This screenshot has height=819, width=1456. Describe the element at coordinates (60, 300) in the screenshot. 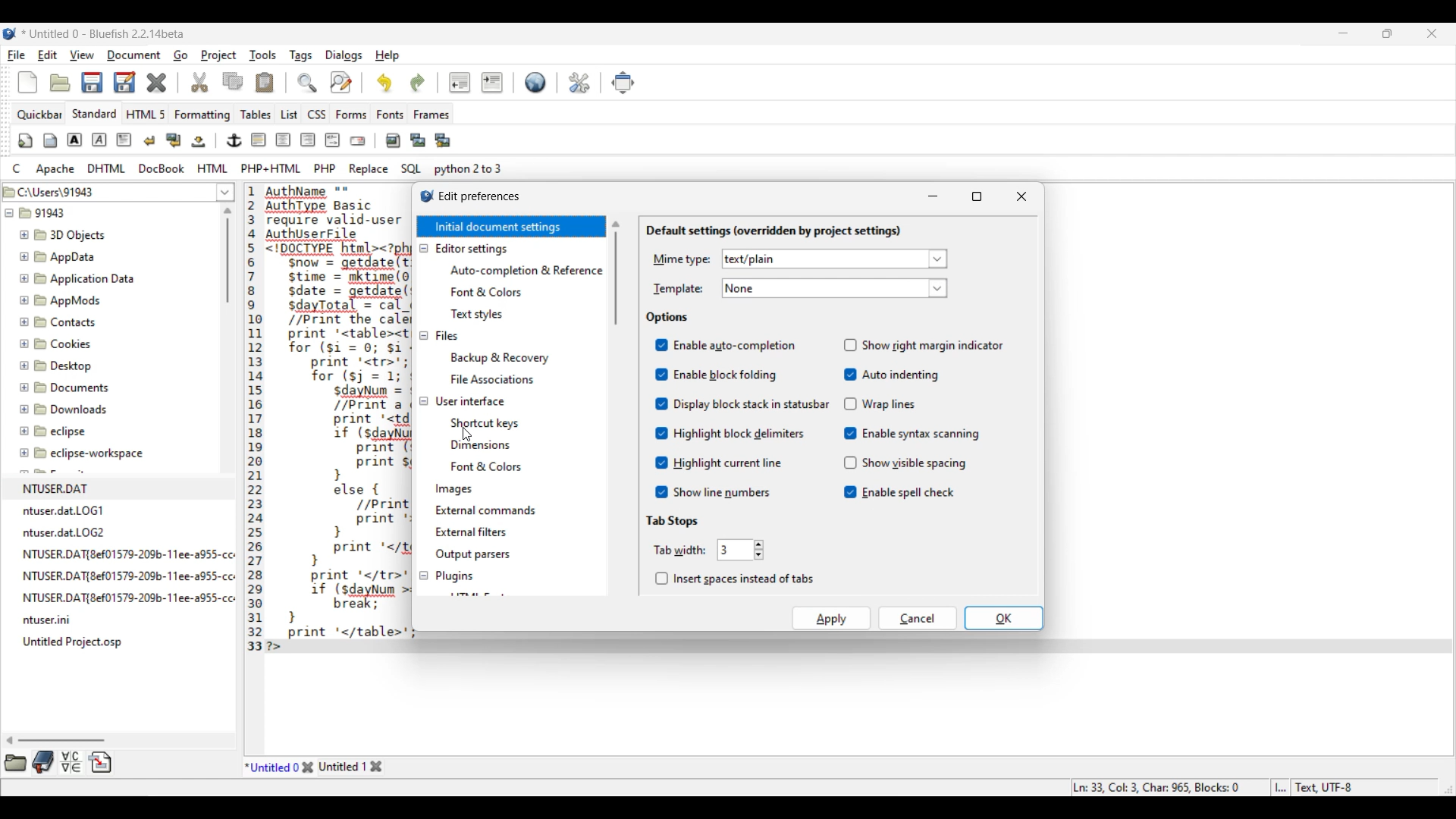

I see `AppMods` at that location.